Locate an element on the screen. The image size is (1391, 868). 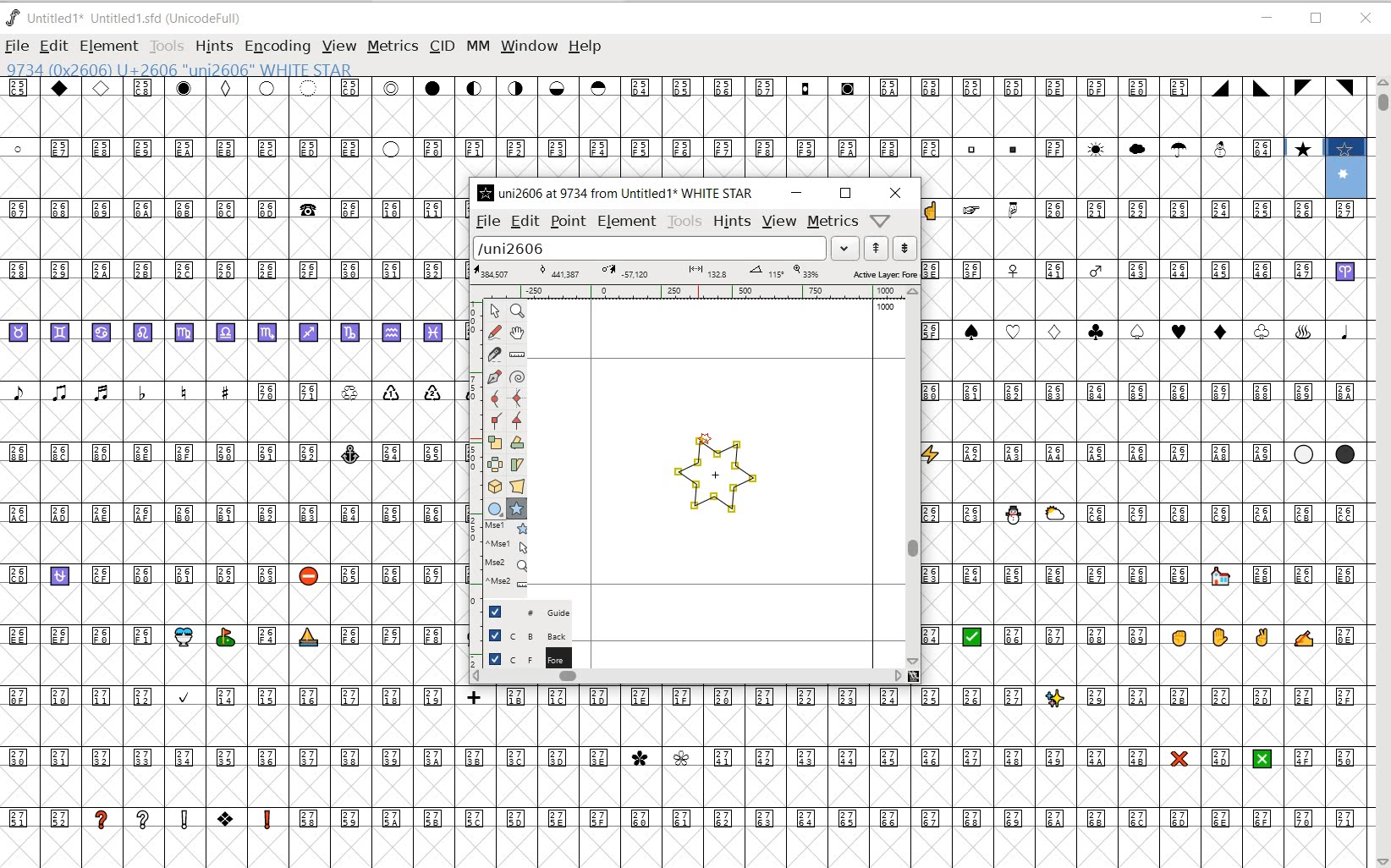
EDIT is located at coordinates (52, 47).